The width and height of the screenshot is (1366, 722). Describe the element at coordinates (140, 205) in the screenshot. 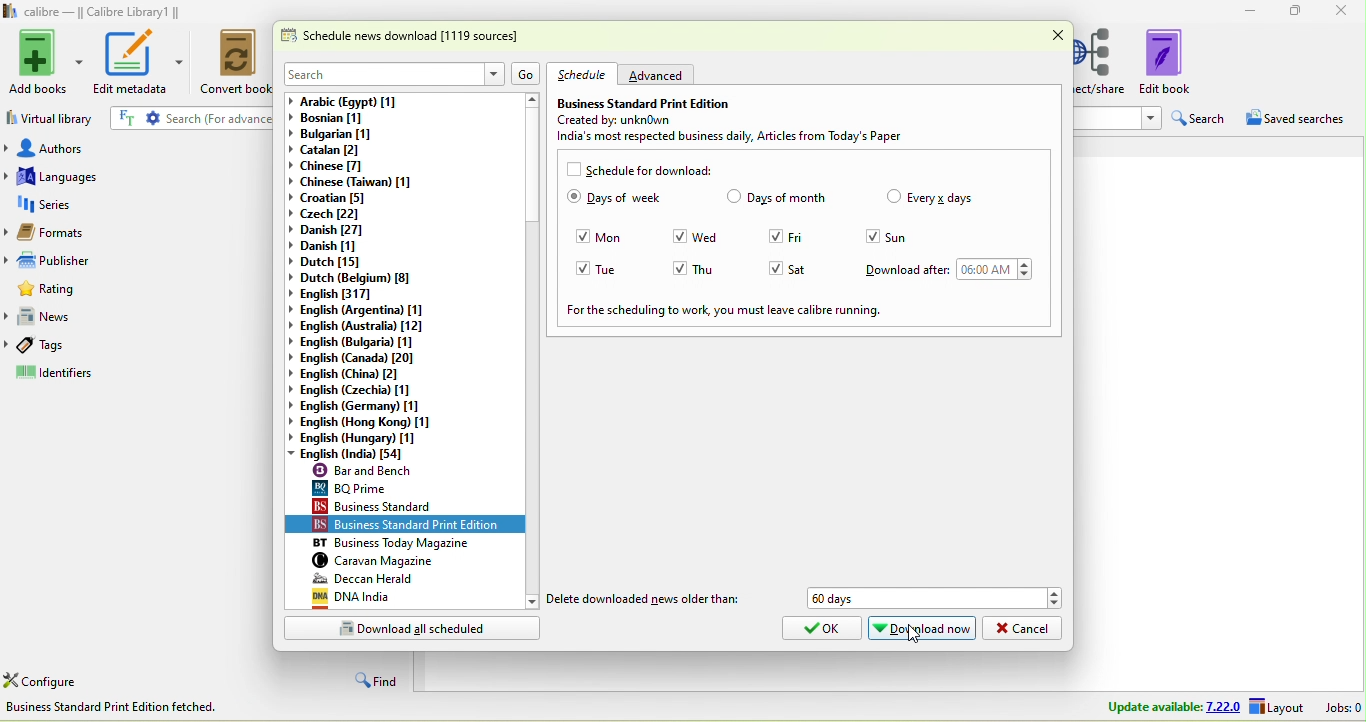

I see `series` at that location.